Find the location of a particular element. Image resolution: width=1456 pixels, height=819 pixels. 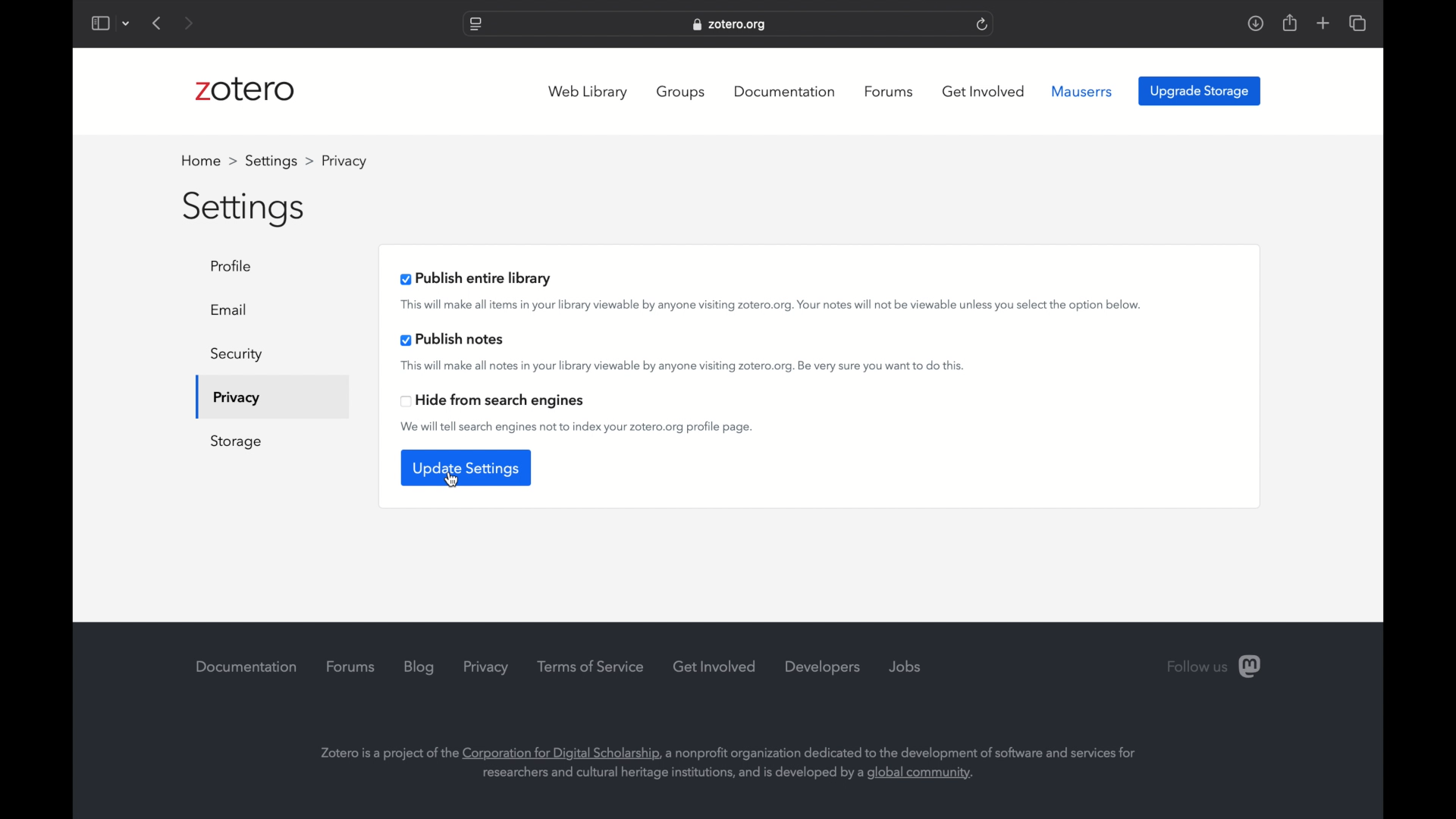

jobs is located at coordinates (905, 667).